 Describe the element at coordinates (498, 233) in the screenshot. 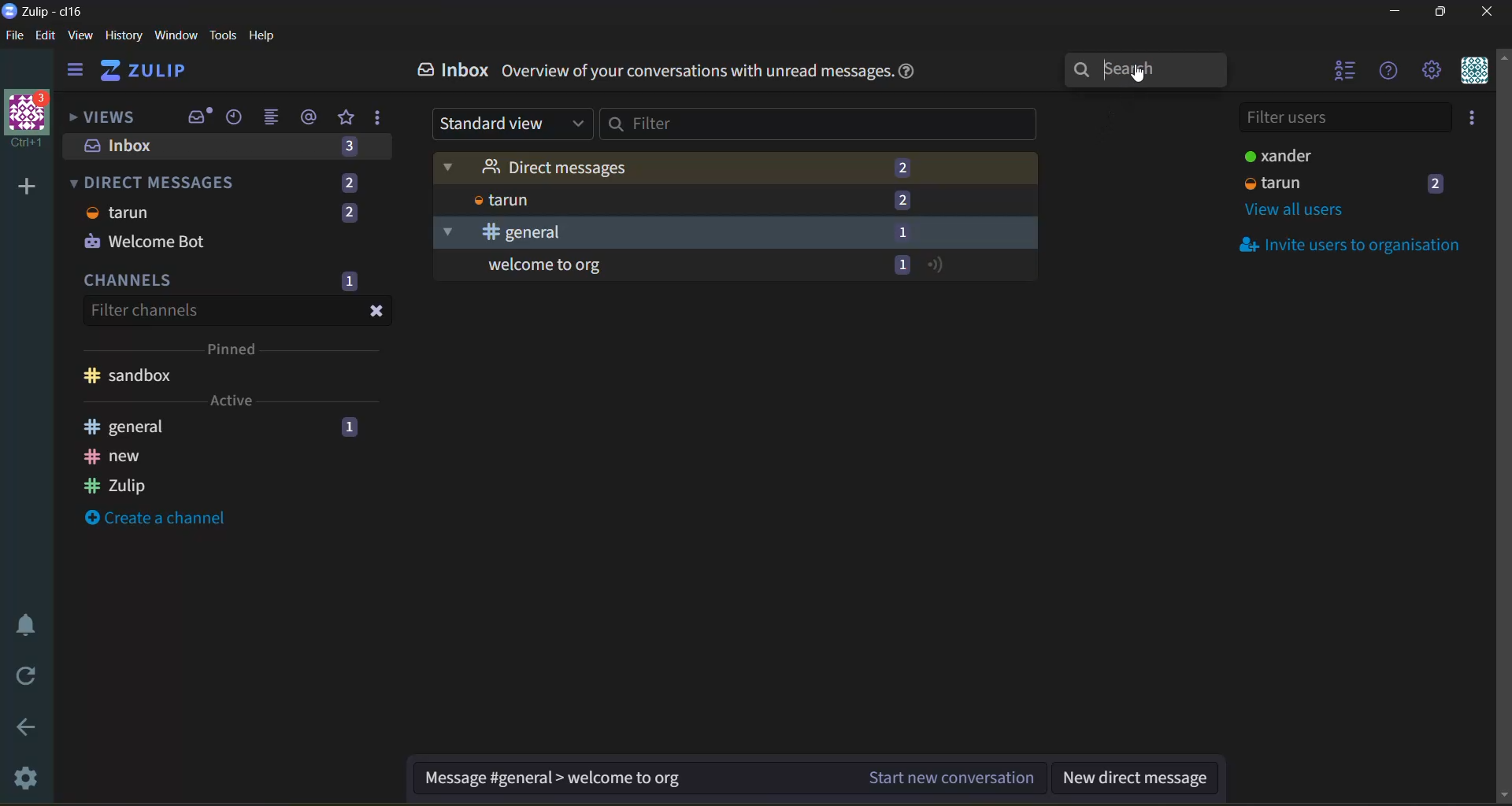

I see `# general` at that location.